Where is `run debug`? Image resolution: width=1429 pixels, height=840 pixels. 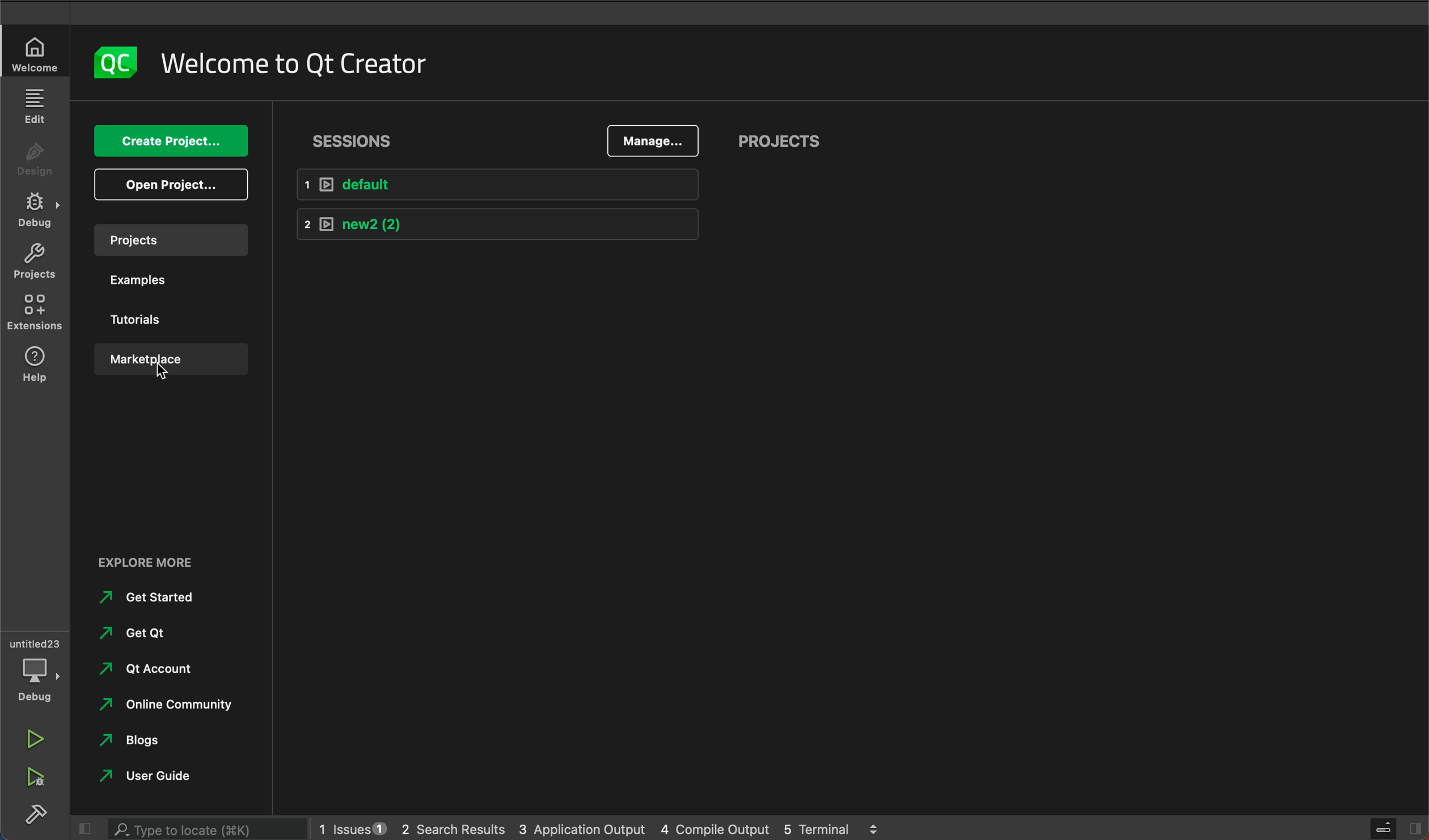
run debug is located at coordinates (34, 781).